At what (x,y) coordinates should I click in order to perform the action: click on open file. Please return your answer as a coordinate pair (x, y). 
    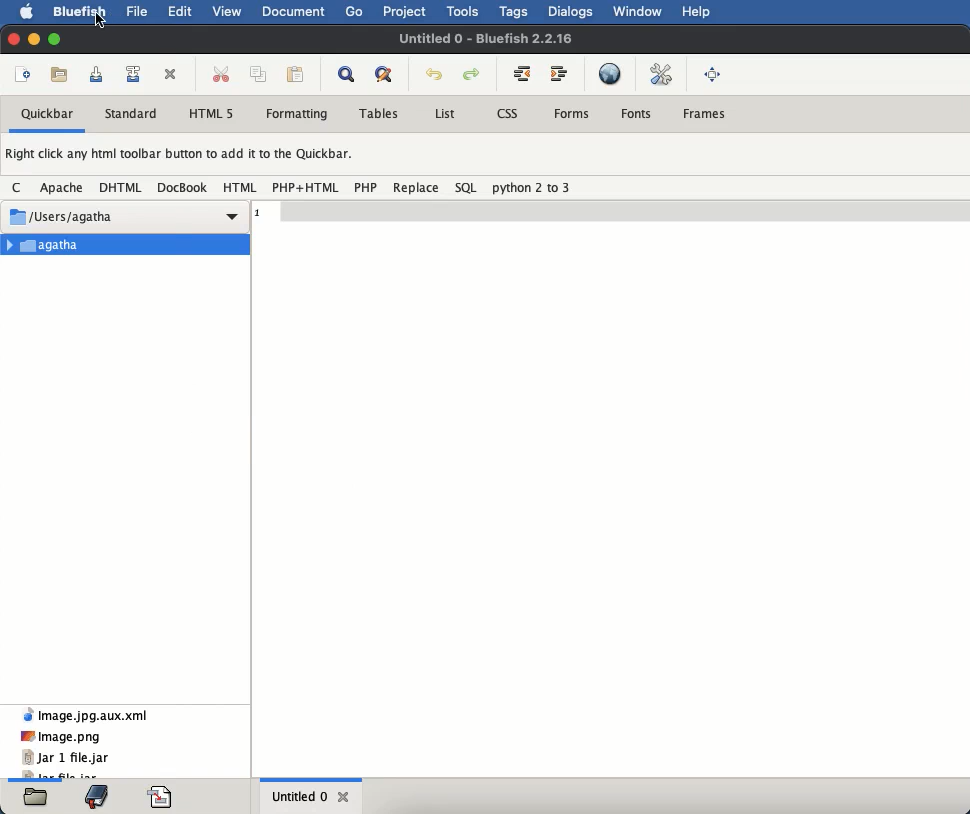
    Looking at the image, I should click on (62, 75).